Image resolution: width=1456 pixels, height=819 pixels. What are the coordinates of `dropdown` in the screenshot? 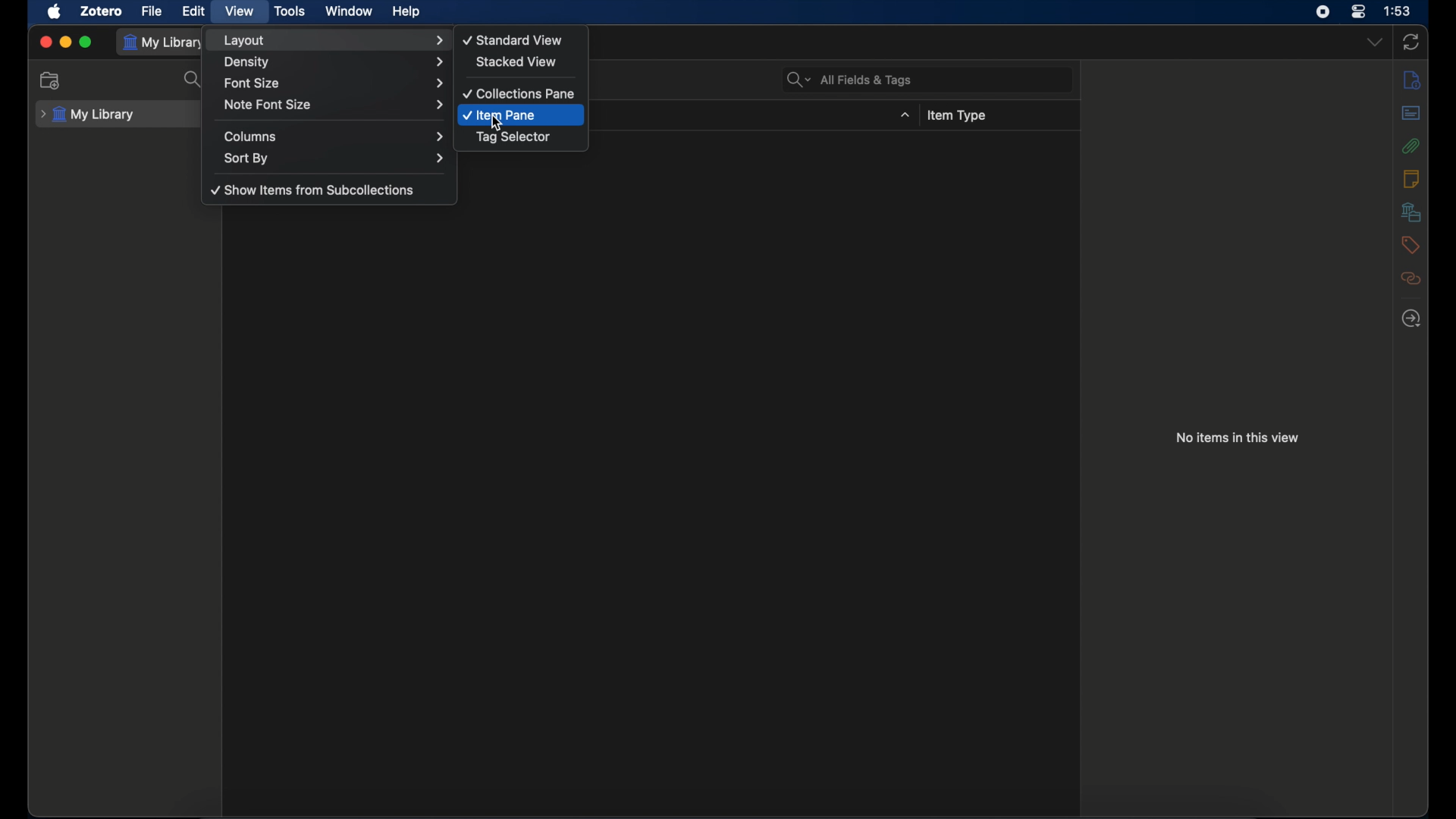 It's located at (1375, 41).